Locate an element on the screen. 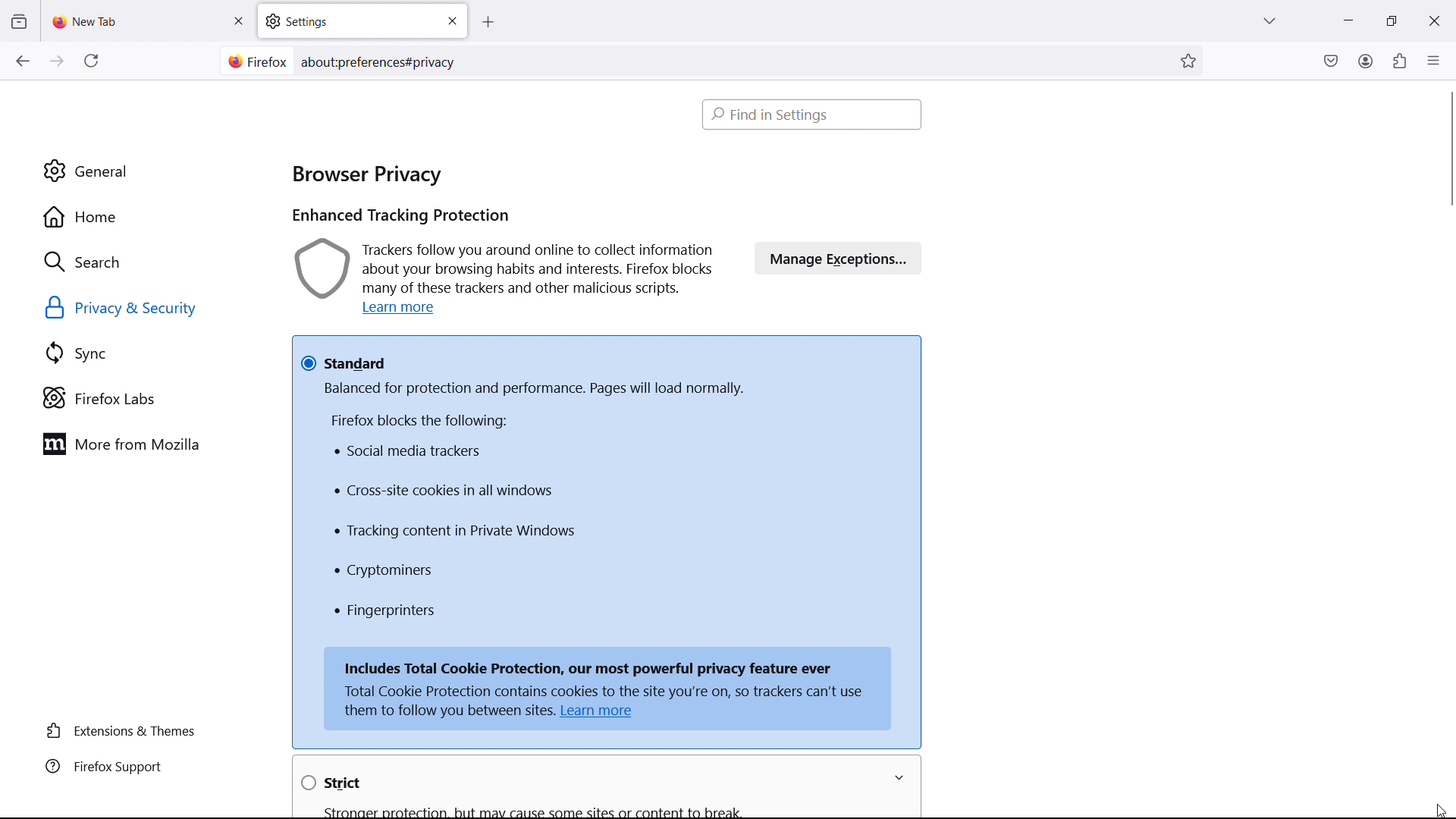  aboutpreferences#privacy is located at coordinates (384, 59).